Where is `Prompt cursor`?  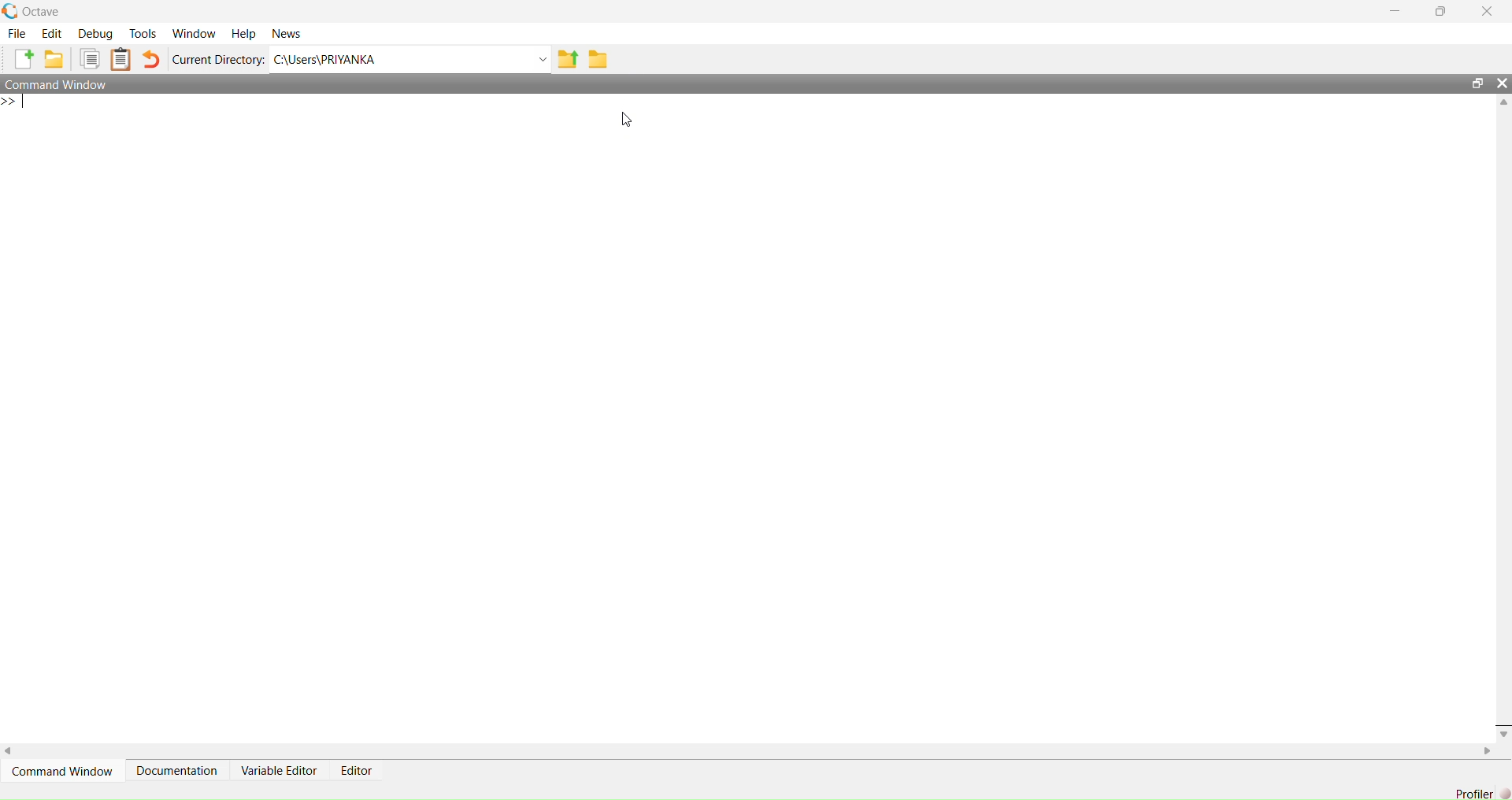 Prompt cursor is located at coordinates (14, 104).